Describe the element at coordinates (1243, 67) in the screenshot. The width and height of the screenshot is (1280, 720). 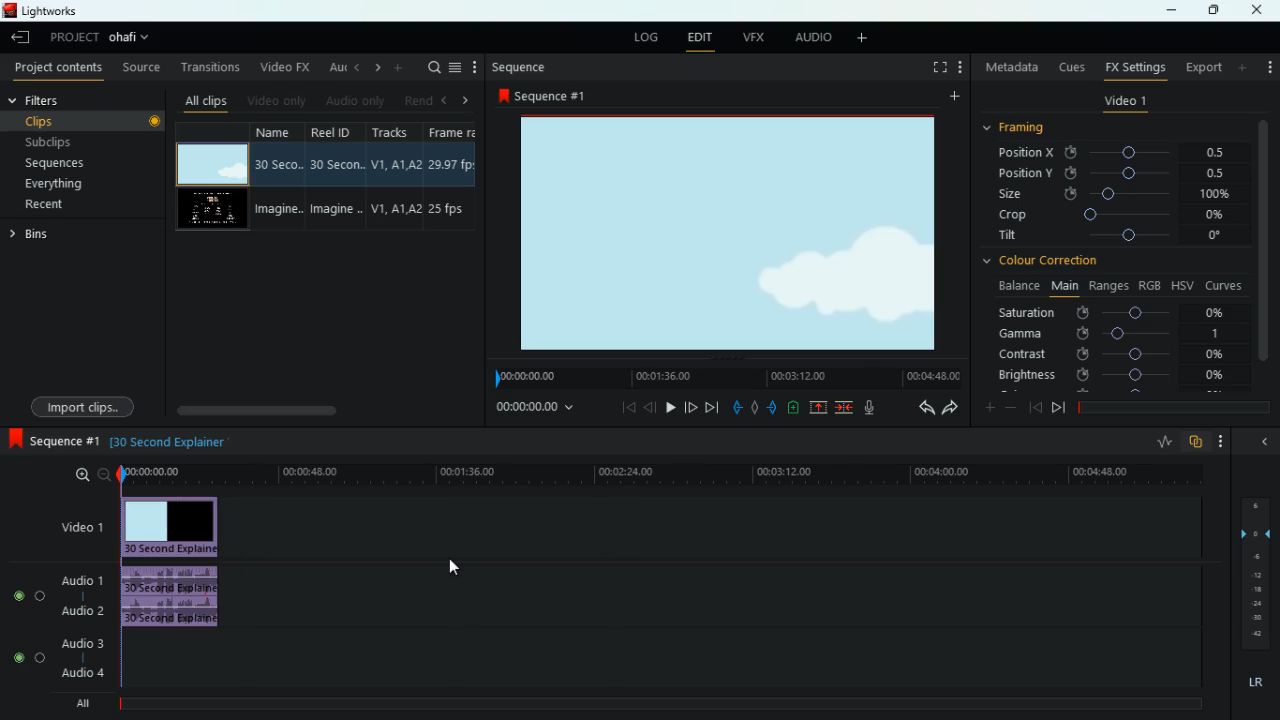
I see `more` at that location.